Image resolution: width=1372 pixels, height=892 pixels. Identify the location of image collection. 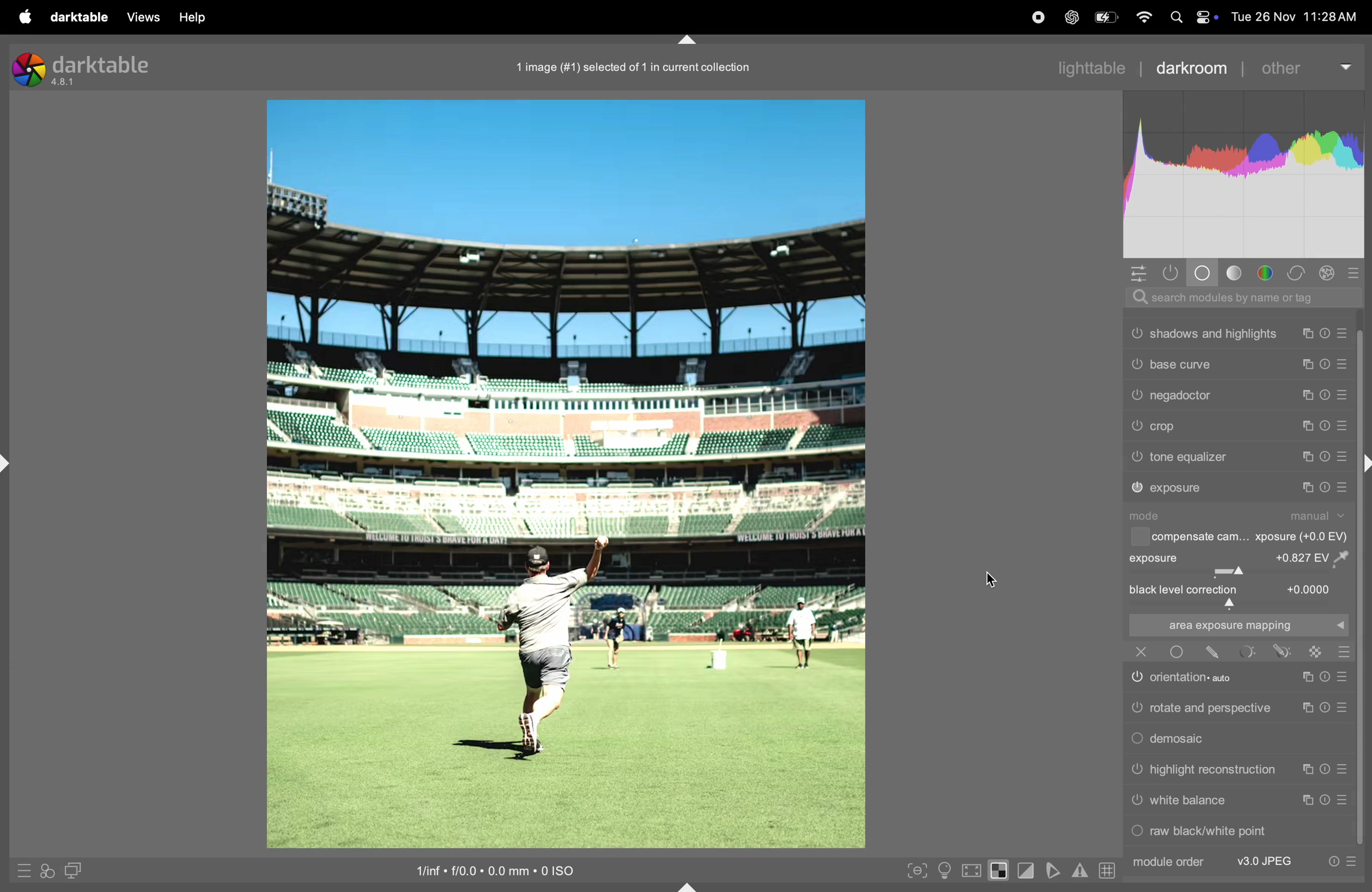
(629, 65).